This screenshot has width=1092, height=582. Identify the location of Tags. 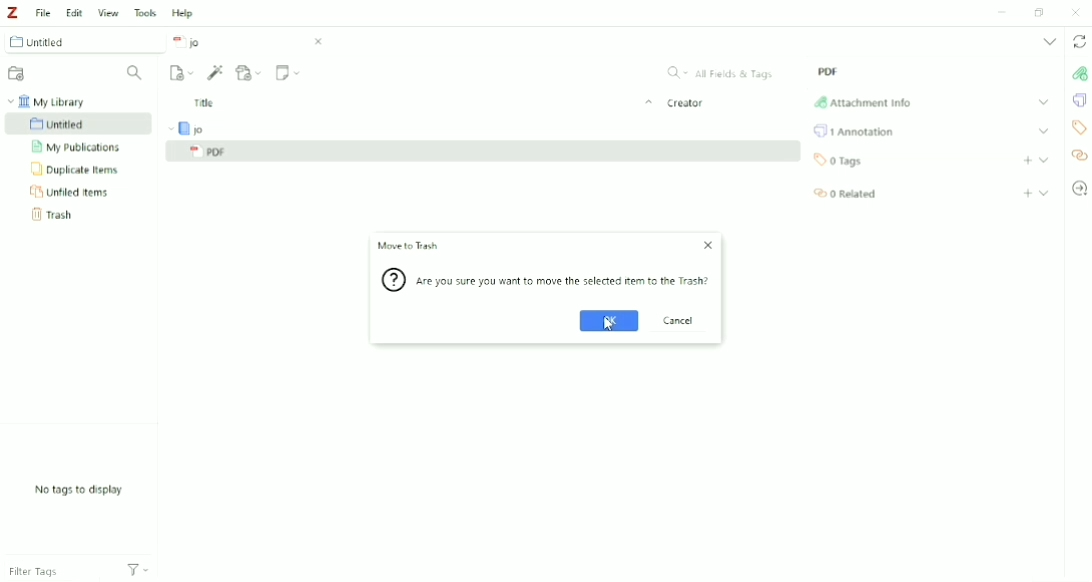
(1077, 128).